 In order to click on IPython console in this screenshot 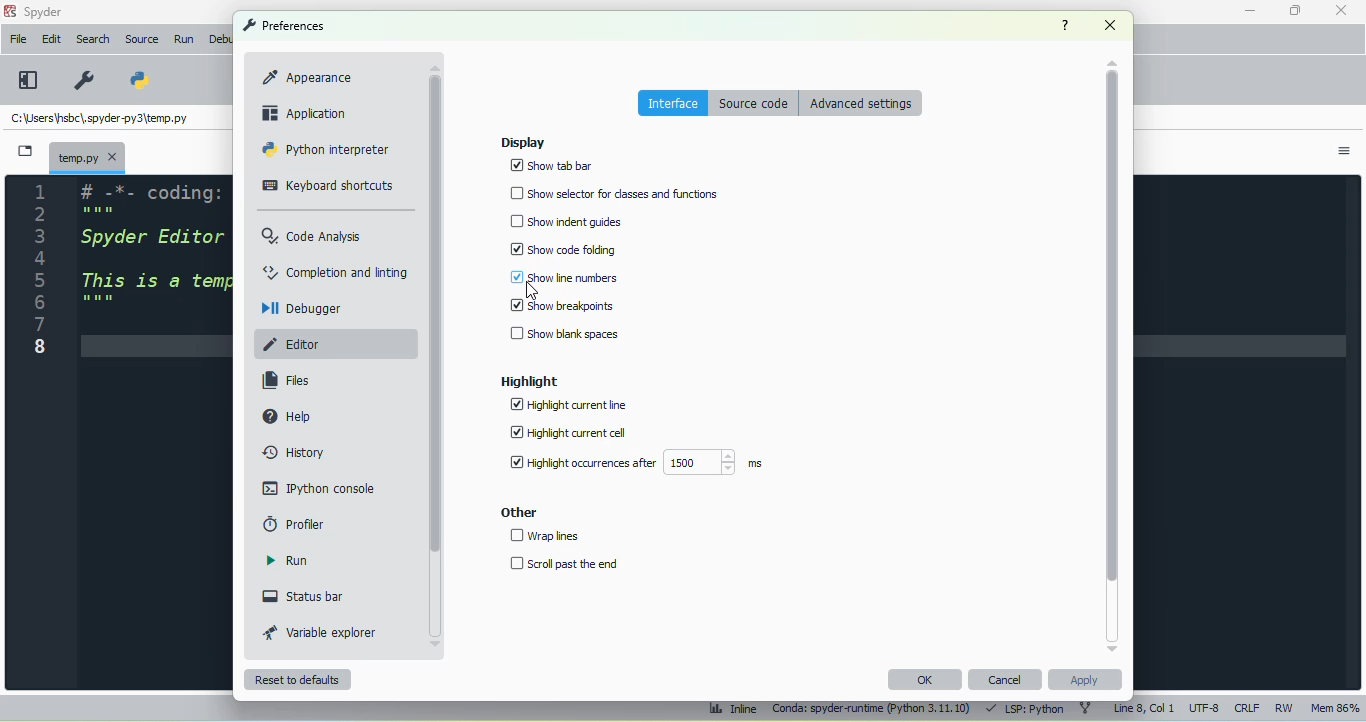, I will do `click(319, 488)`.